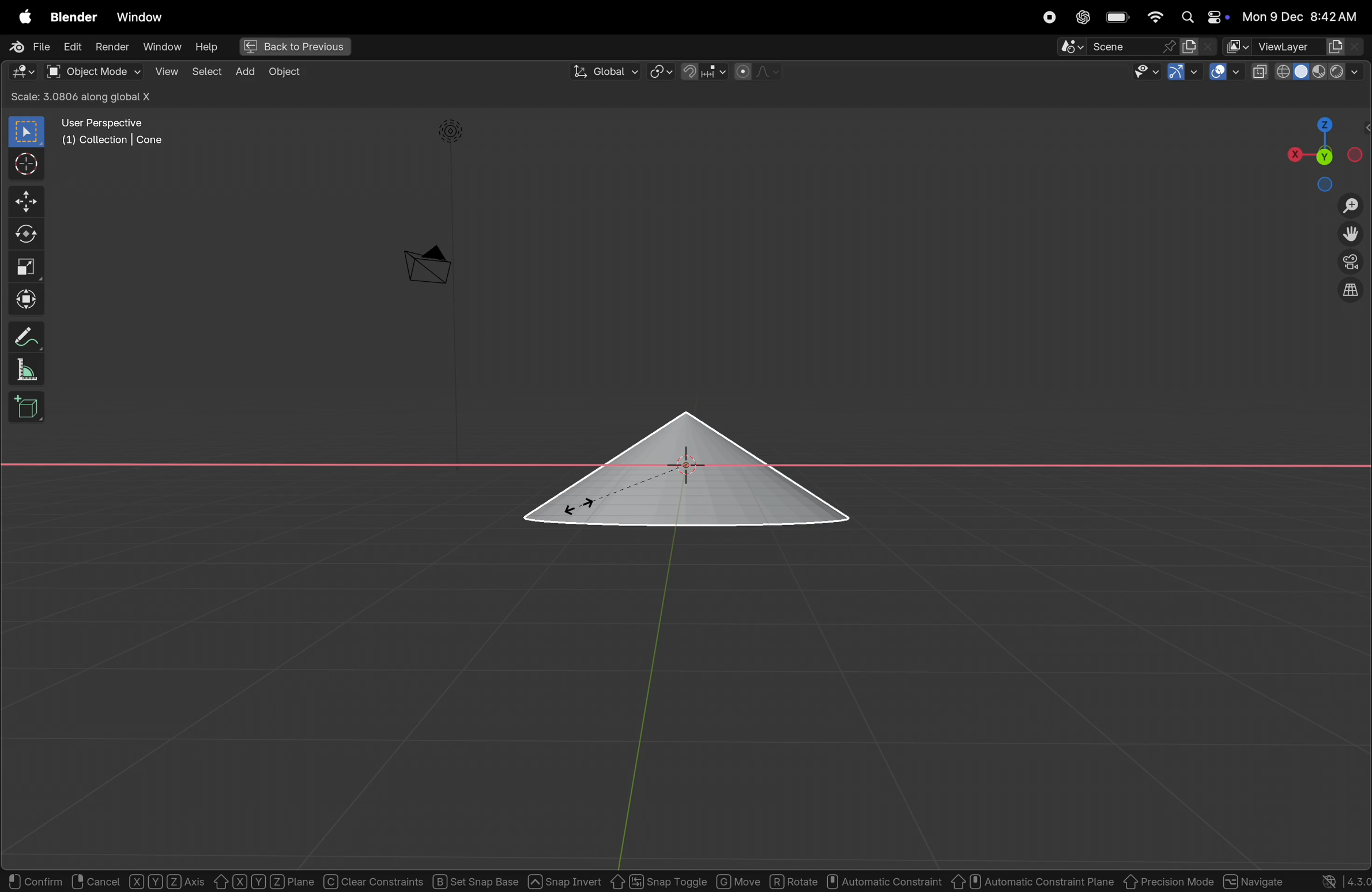  What do you see at coordinates (210, 48) in the screenshot?
I see `help` at bounding box center [210, 48].